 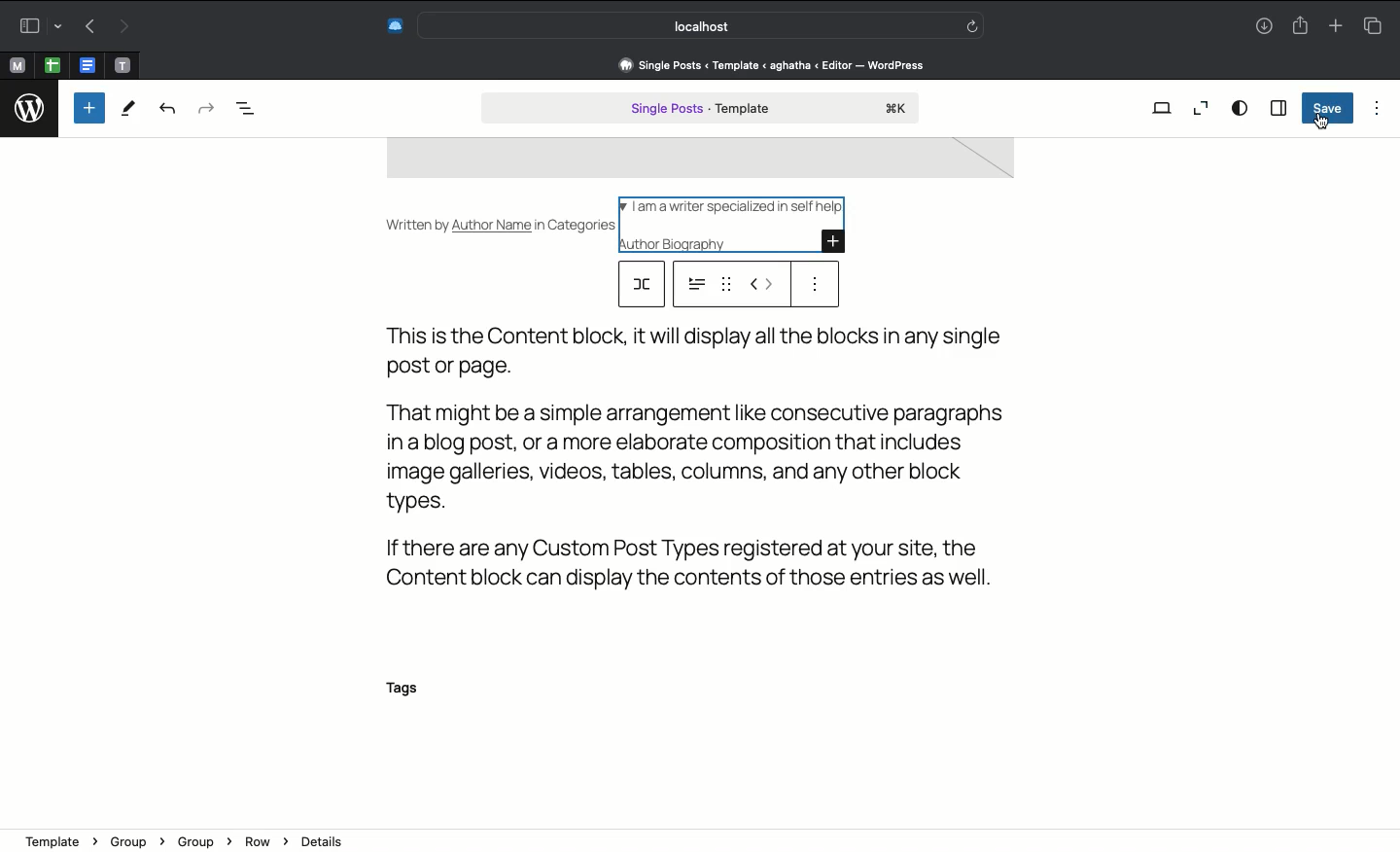 What do you see at coordinates (500, 225) in the screenshot?
I see `Written by Author Name in Categories` at bounding box center [500, 225].